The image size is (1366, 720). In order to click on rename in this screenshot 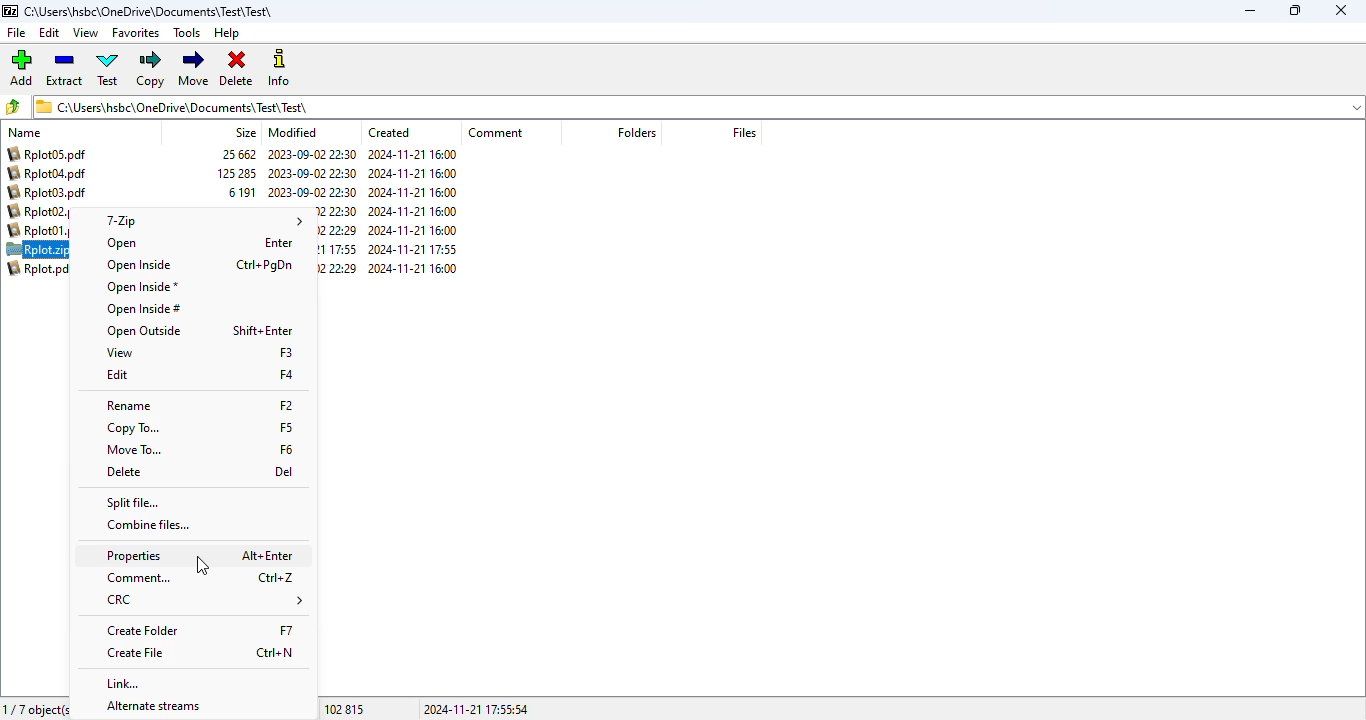, I will do `click(127, 406)`.